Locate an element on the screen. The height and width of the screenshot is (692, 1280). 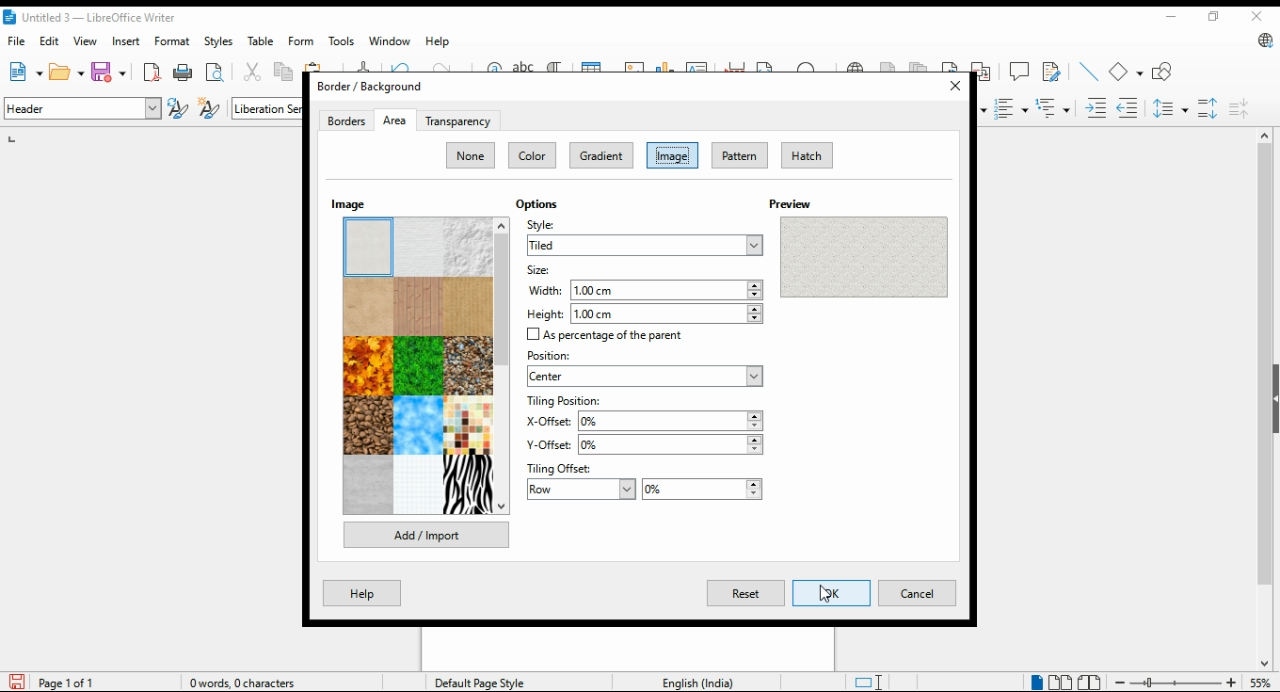
scroll bar is located at coordinates (500, 367).